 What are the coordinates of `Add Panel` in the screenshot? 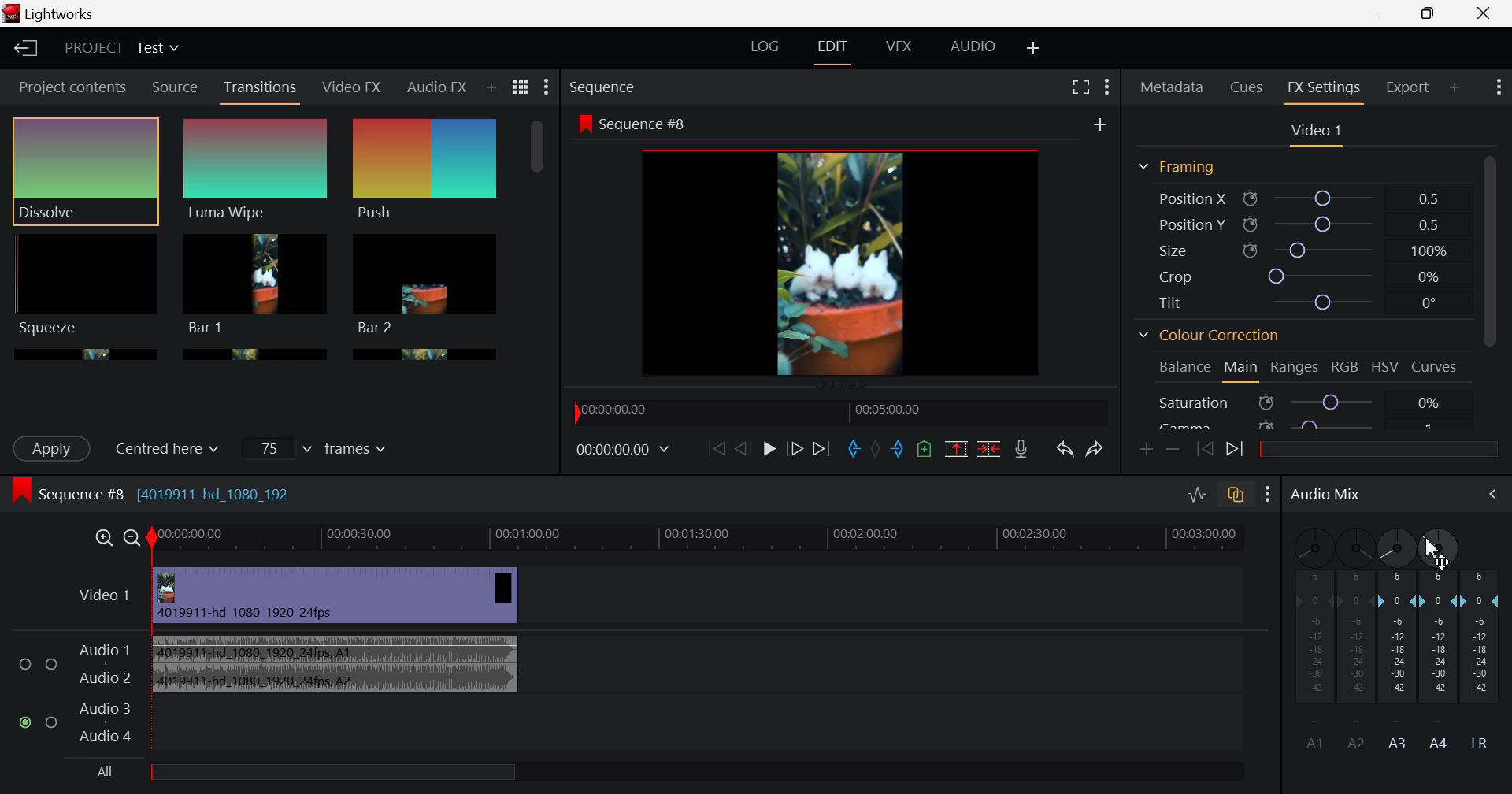 It's located at (491, 88).